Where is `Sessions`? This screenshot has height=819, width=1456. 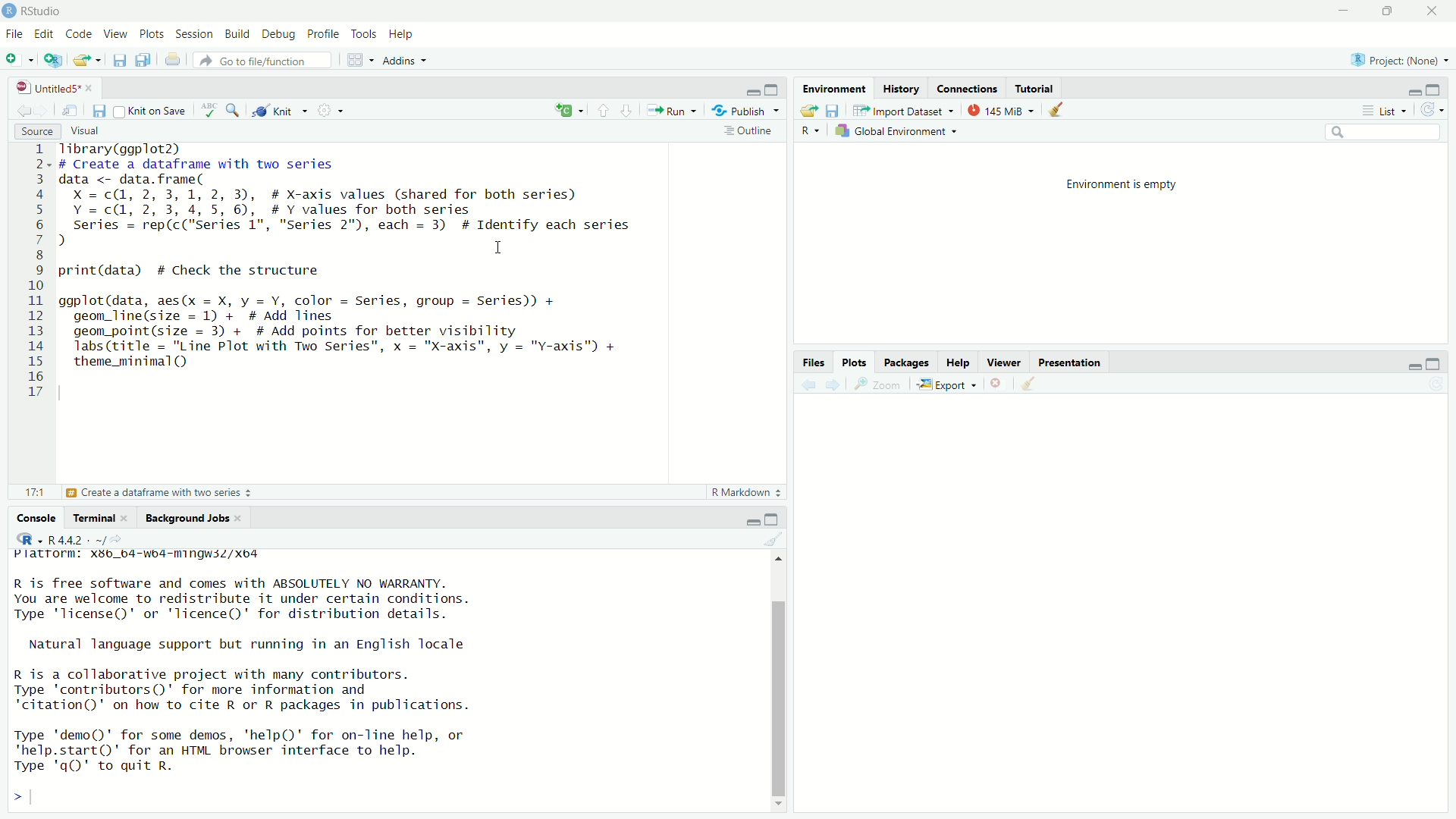
Sessions is located at coordinates (194, 36).